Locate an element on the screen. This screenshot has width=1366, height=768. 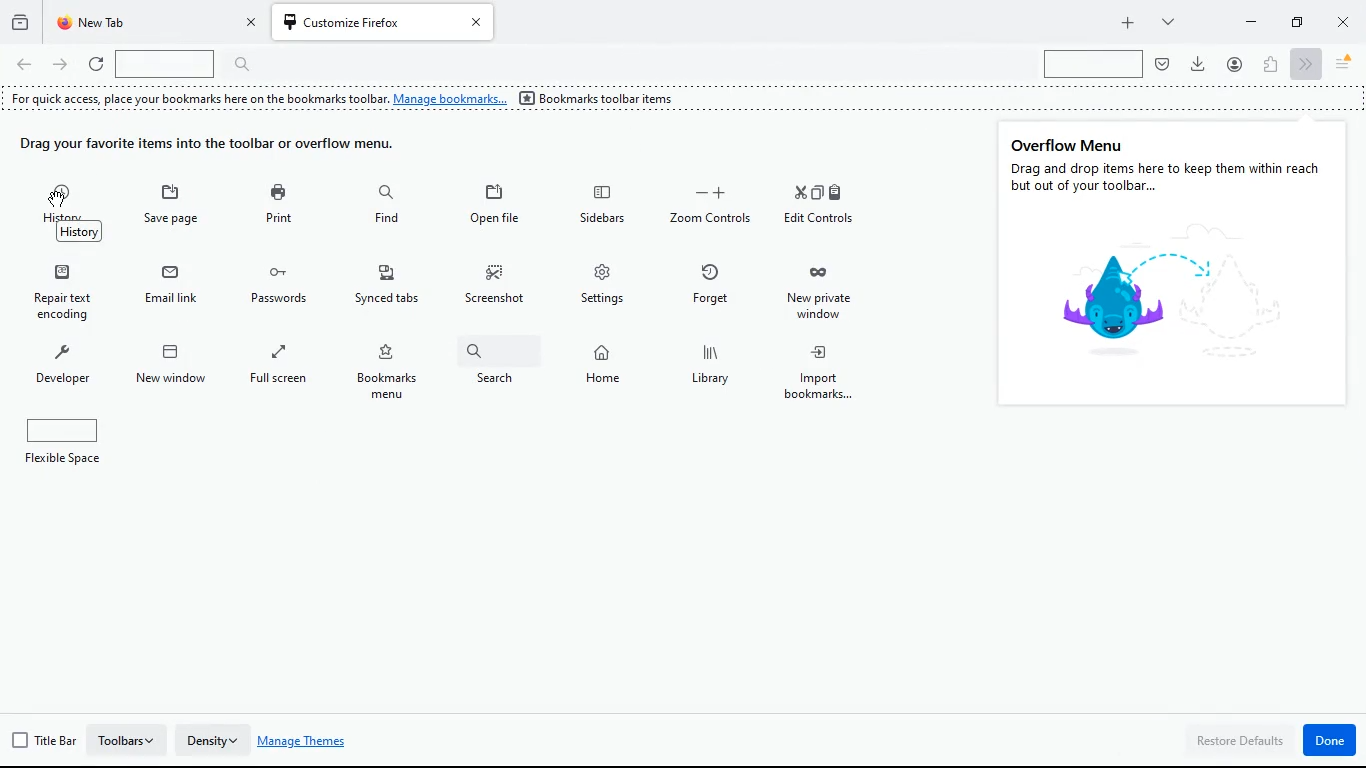
print is located at coordinates (279, 207).